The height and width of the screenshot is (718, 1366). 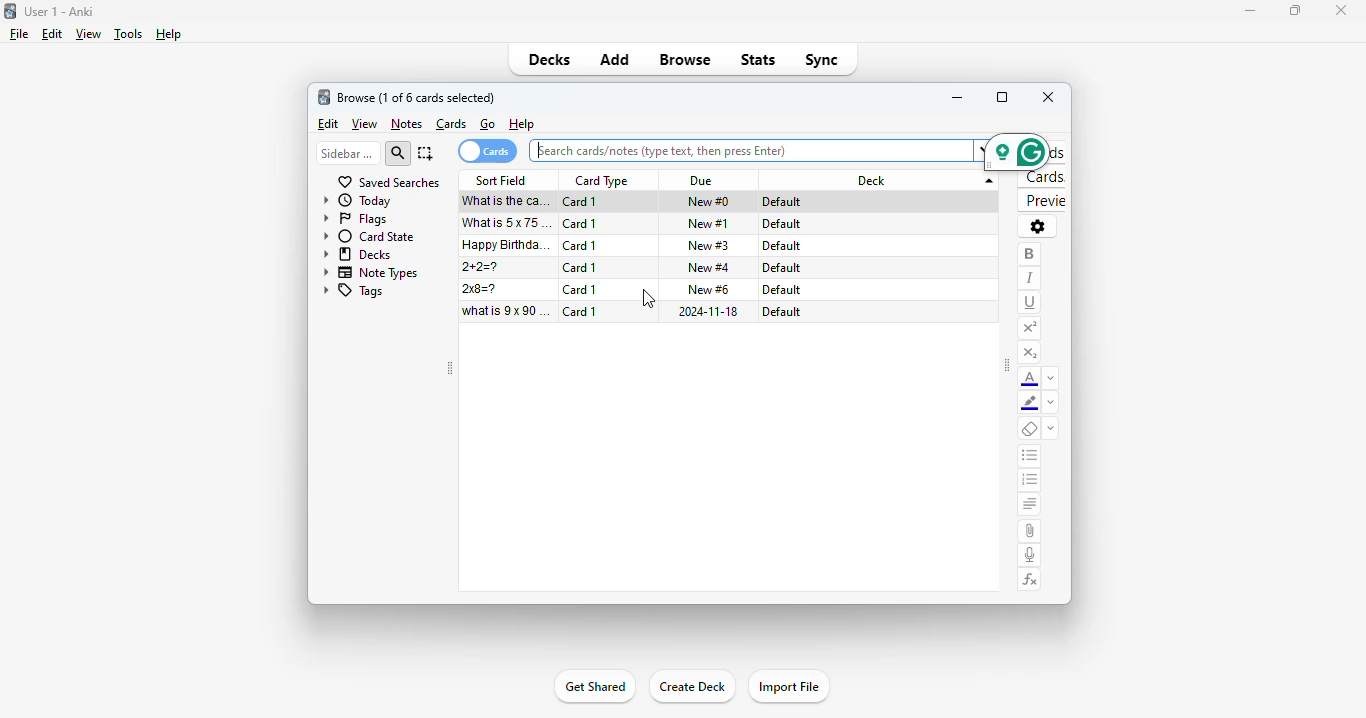 I want to click on note types, so click(x=372, y=272).